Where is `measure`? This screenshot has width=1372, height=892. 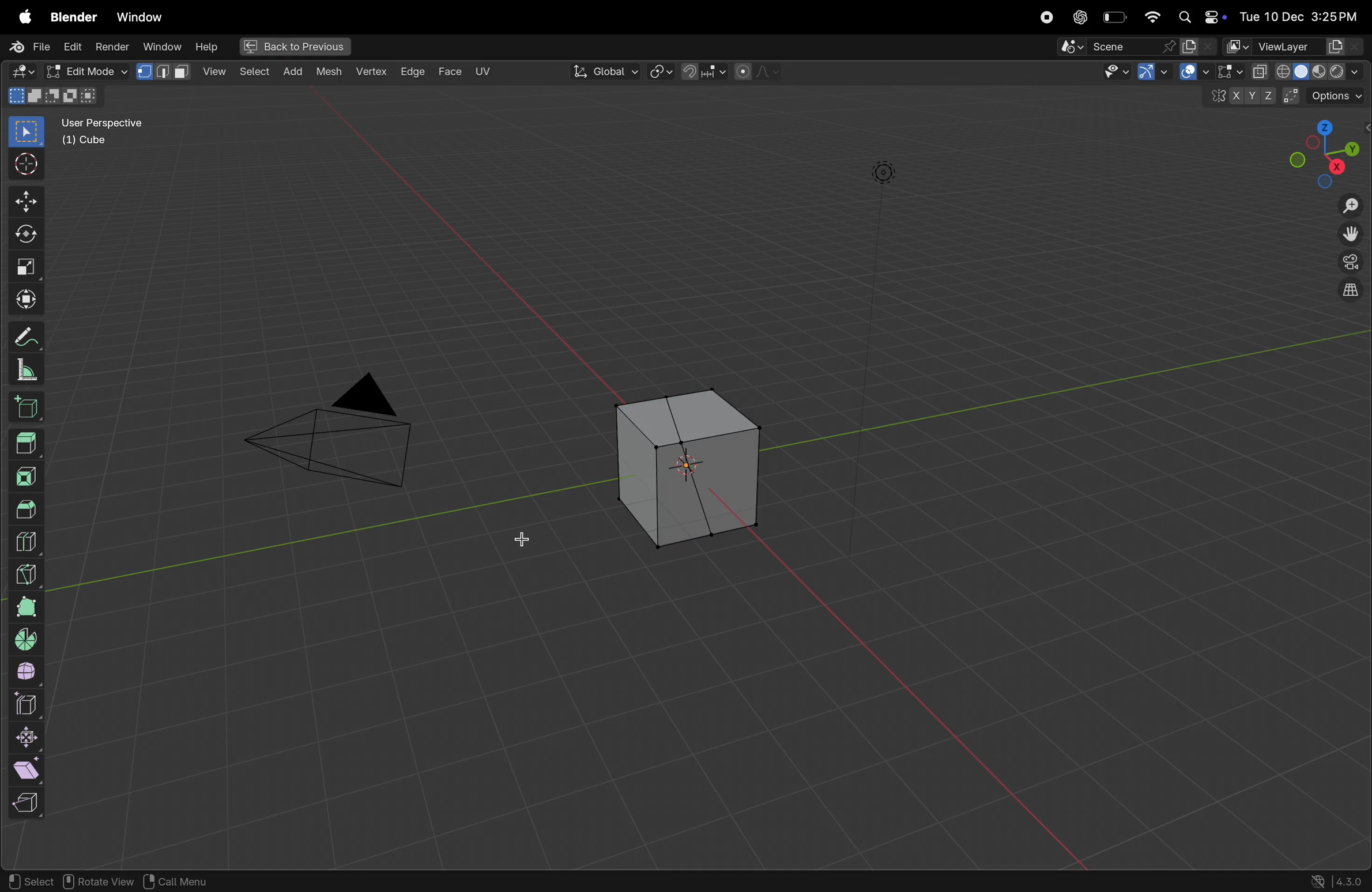 measure is located at coordinates (27, 372).